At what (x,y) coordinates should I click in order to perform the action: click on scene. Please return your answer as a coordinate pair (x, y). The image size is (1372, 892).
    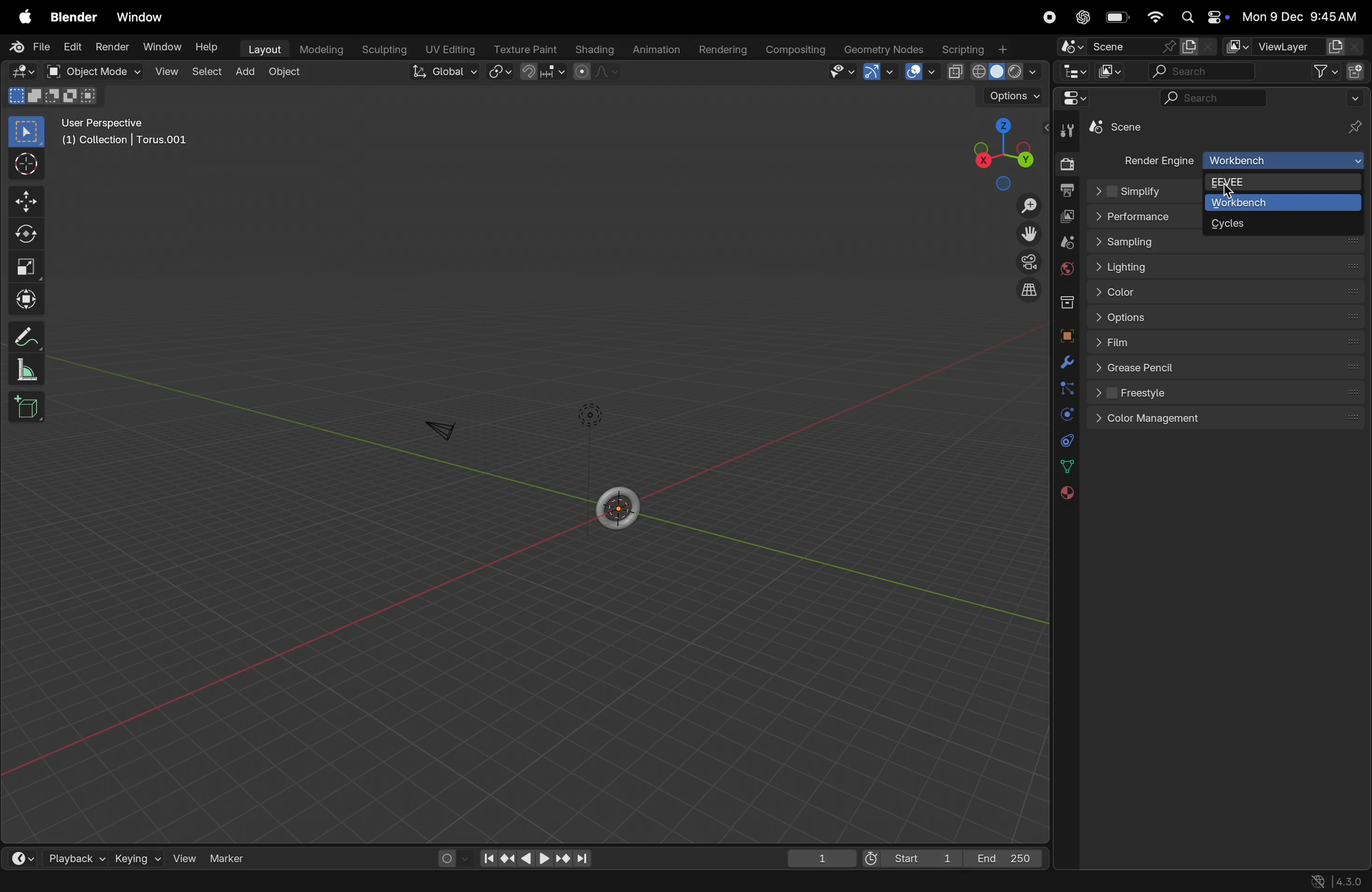
    Looking at the image, I should click on (1064, 240).